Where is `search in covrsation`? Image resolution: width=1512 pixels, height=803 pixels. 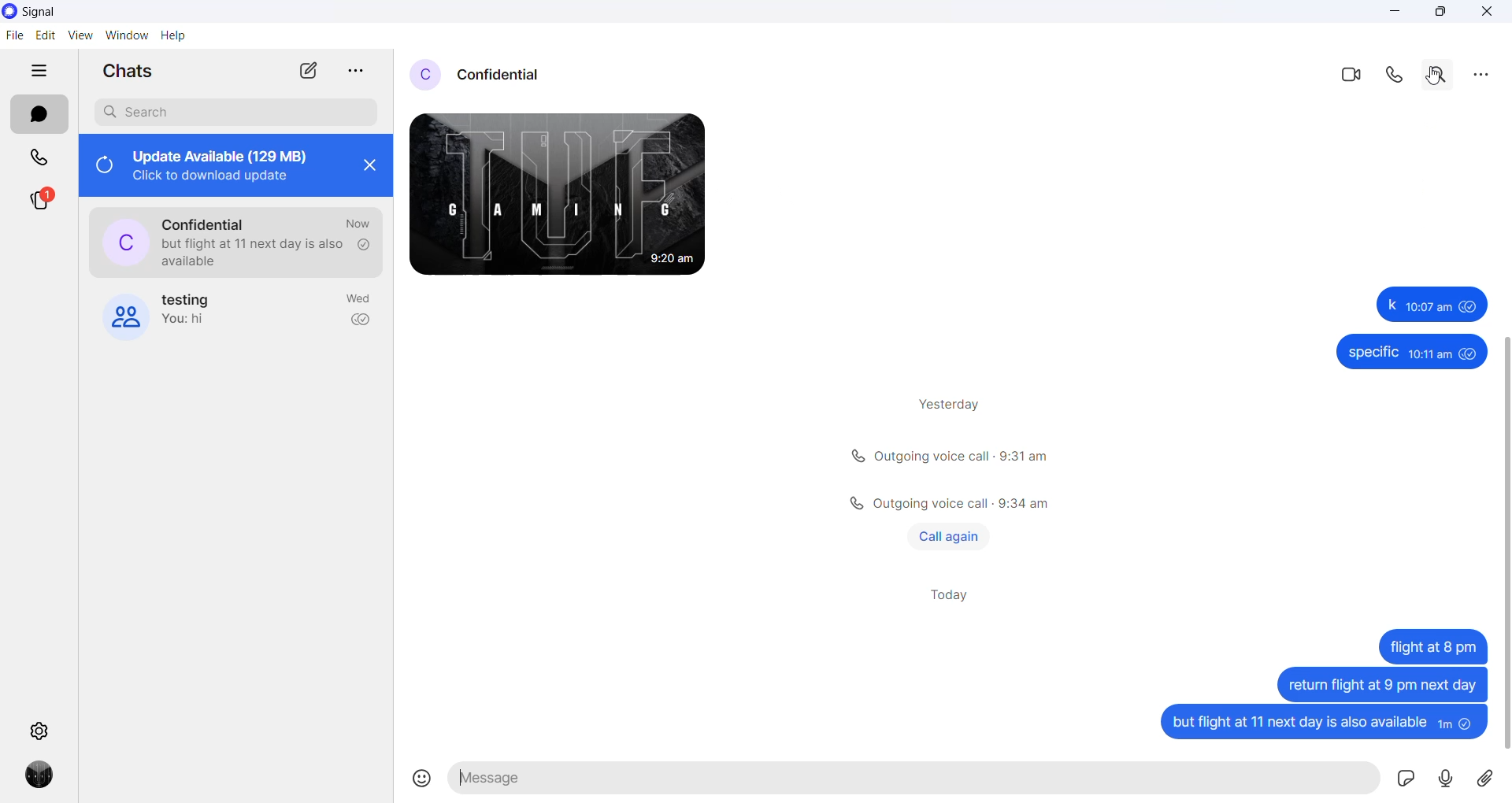
search in covrsation is located at coordinates (1438, 76).